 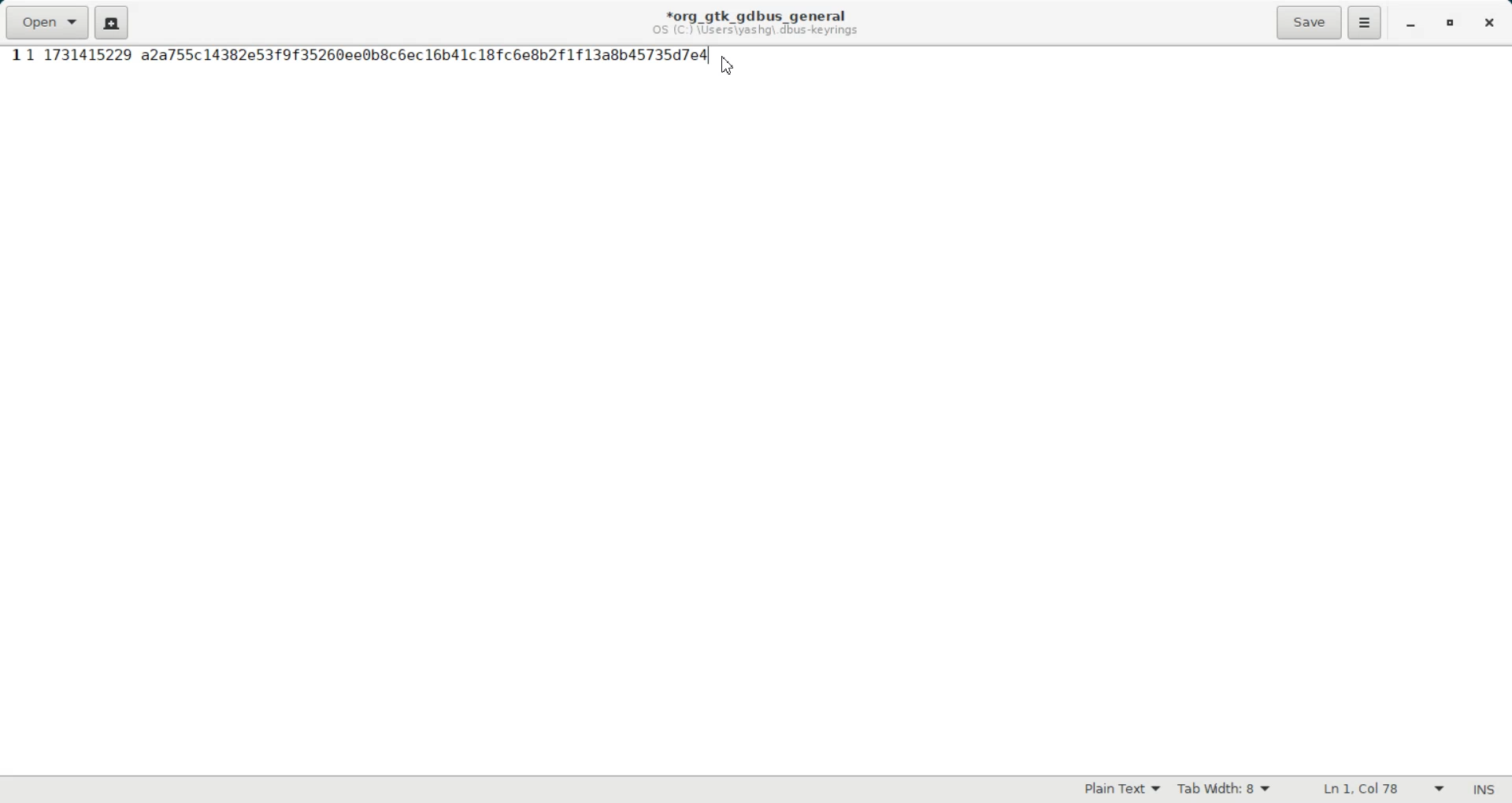 What do you see at coordinates (728, 65) in the screenshot?
I see `Text cursor` at bounding box center [728, 65].